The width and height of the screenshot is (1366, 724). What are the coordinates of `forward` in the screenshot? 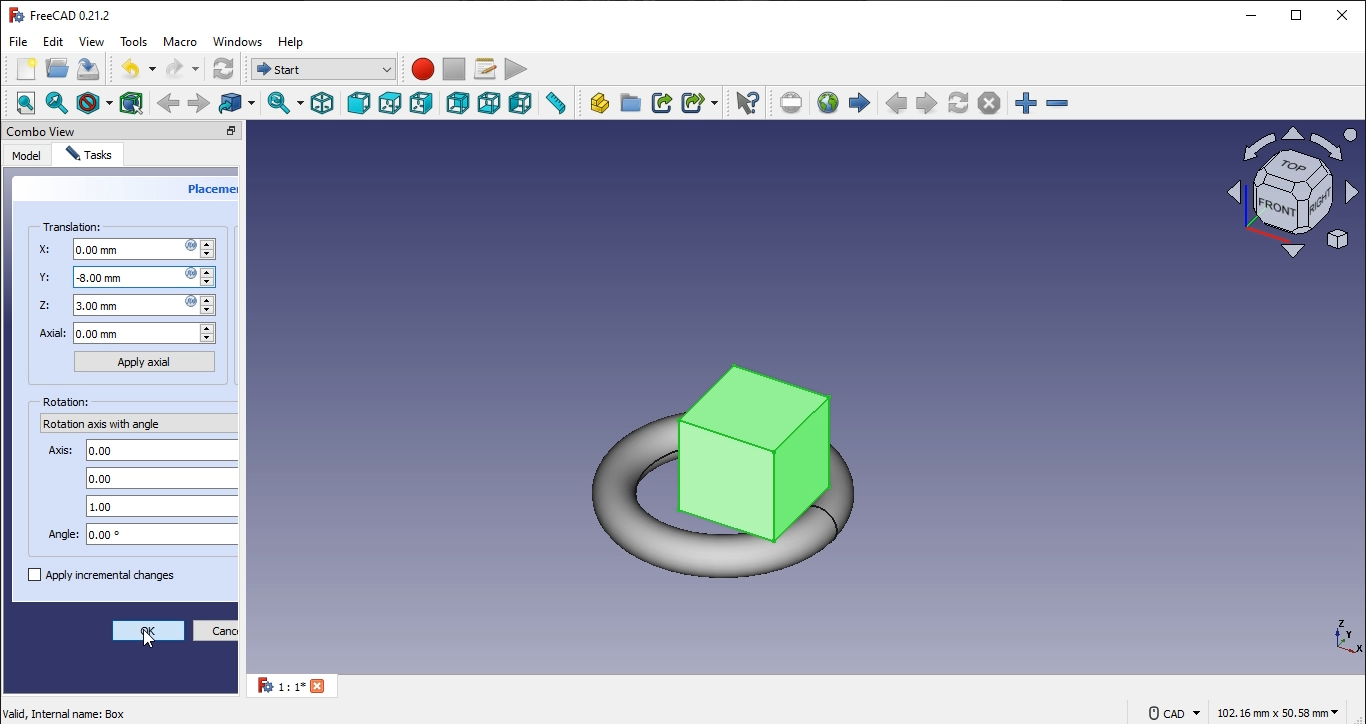 It's located at (200, 102).